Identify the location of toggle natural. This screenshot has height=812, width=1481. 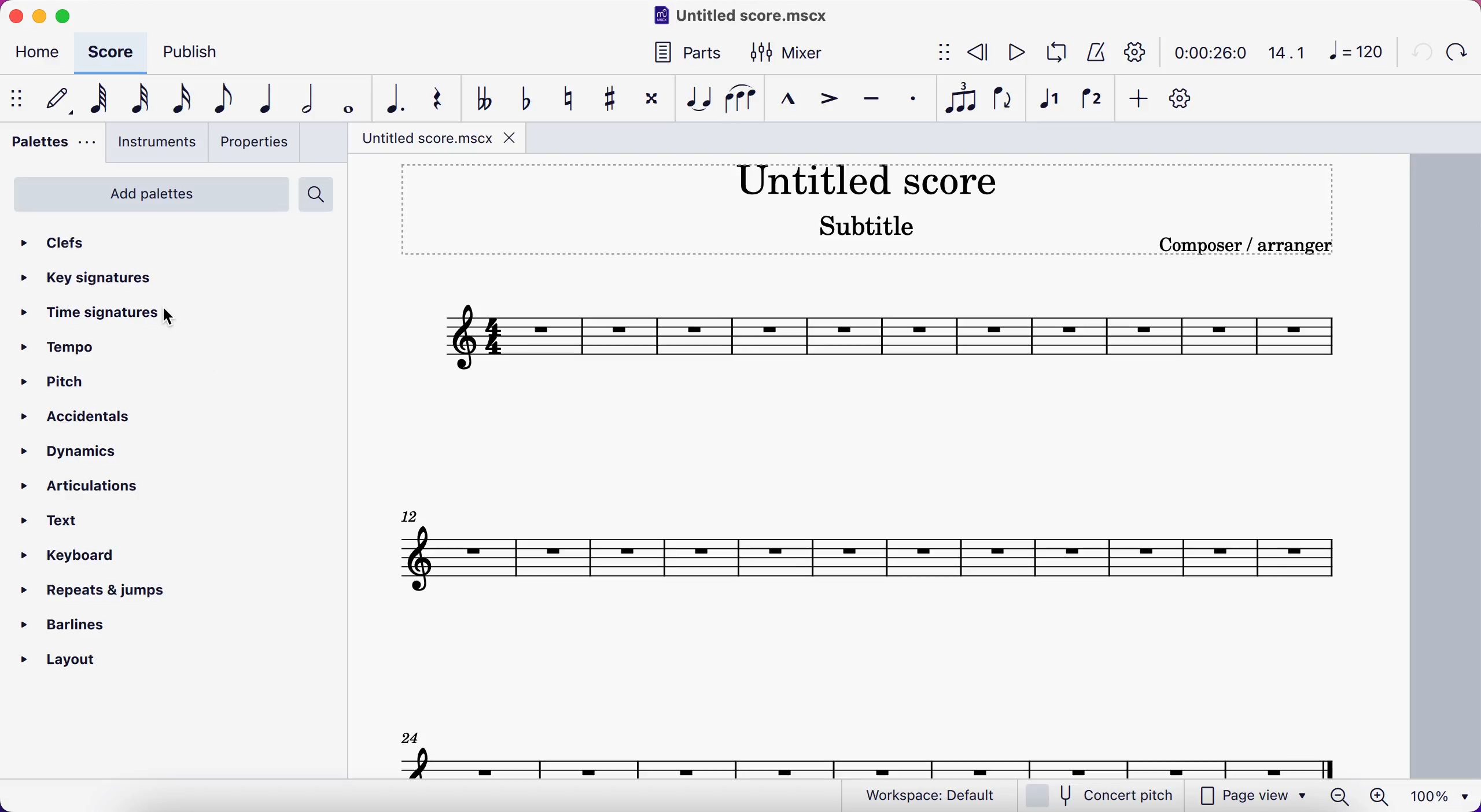
(565, 96).